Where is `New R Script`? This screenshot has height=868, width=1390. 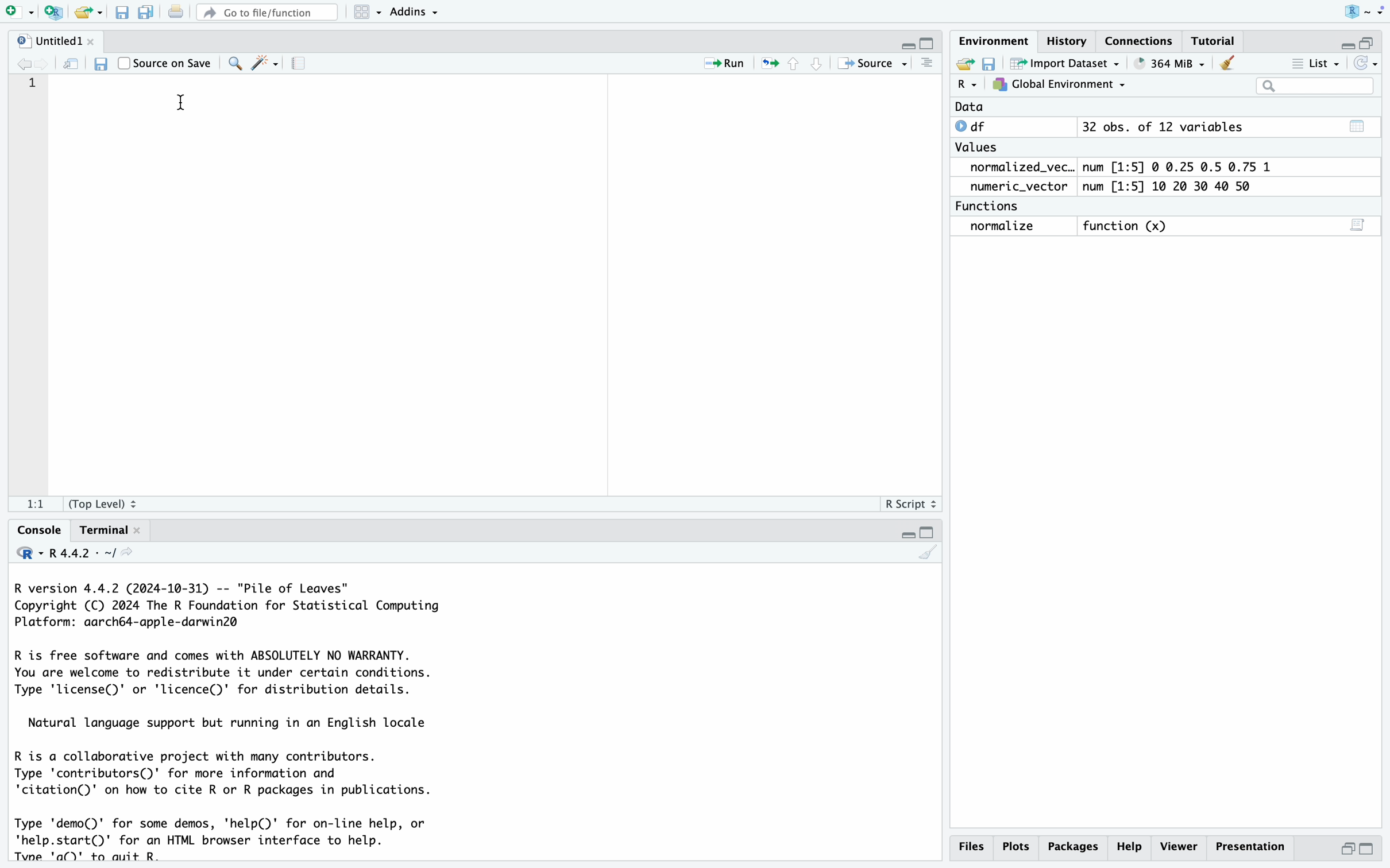
New R Script is located at coordinates (53, 13).